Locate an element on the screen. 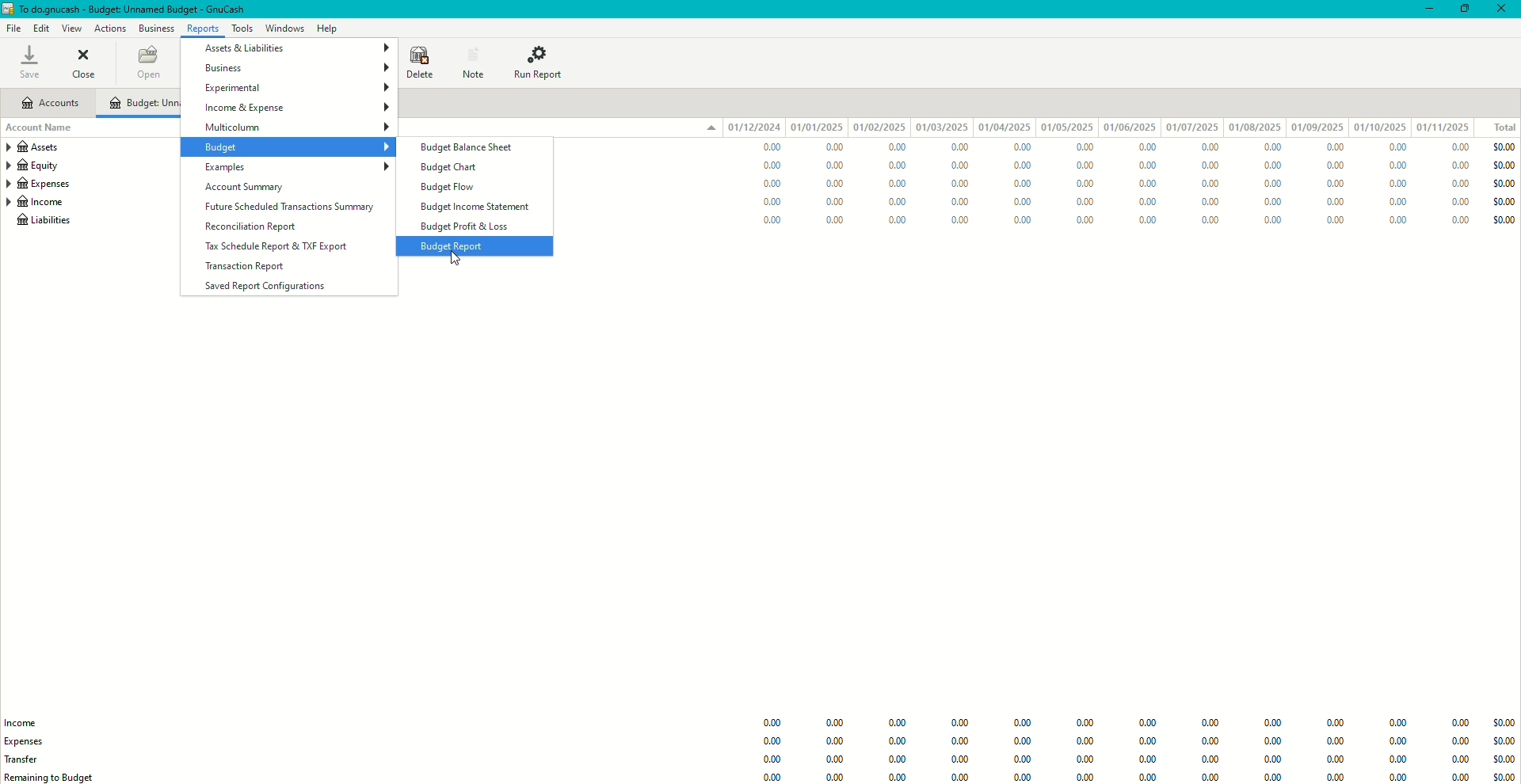  0.00 is located at coordinates (1398, 183).